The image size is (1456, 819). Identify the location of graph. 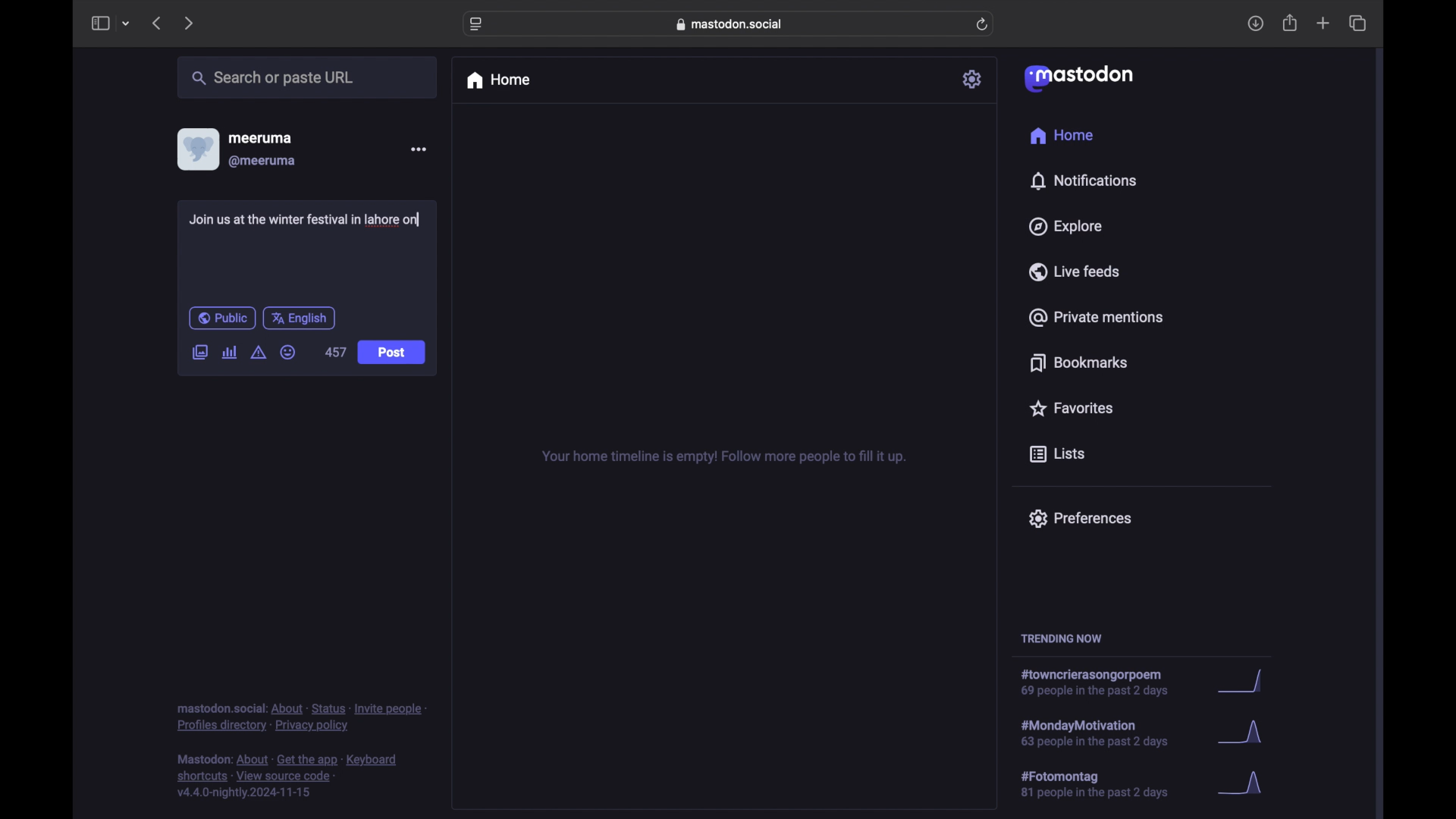
(1244, 736).